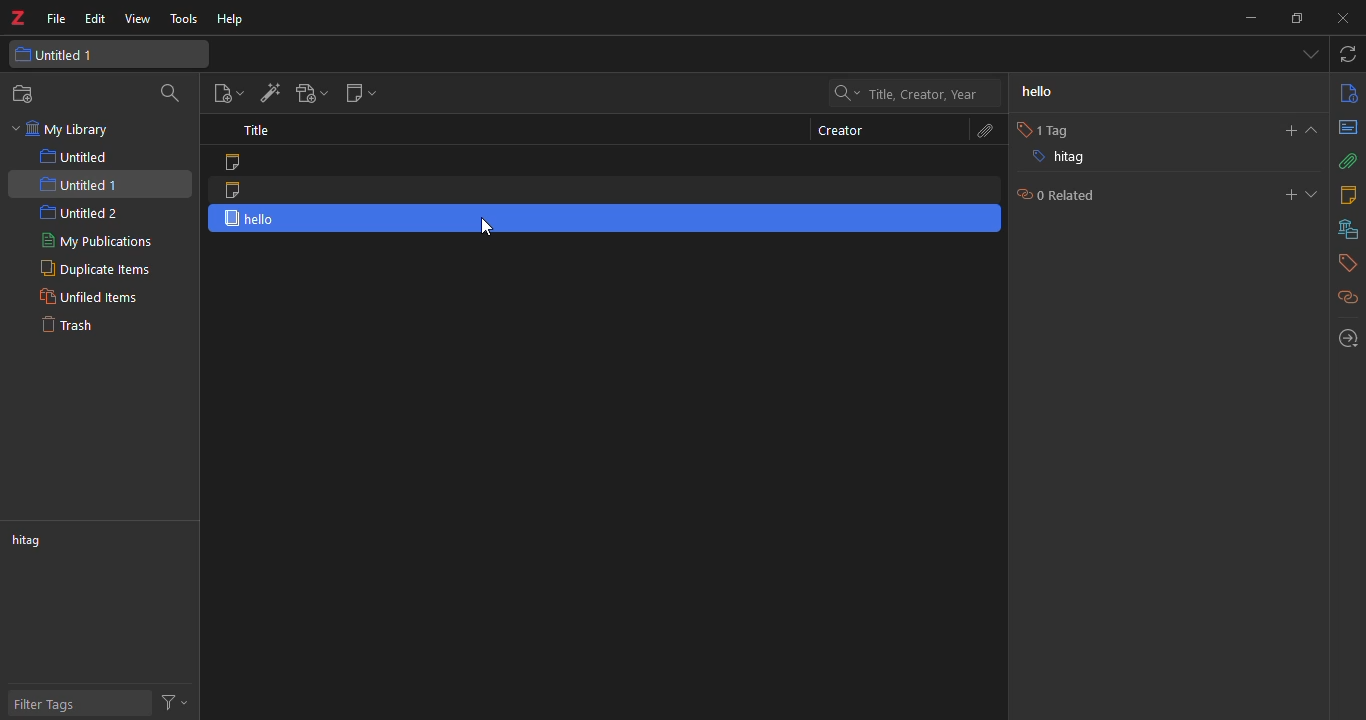 This screenshot has width=1366, height=720. What do you see at coordinates (92, 269) in the screenshot?
I see `duplicated items` at bounding box center [92, 269].